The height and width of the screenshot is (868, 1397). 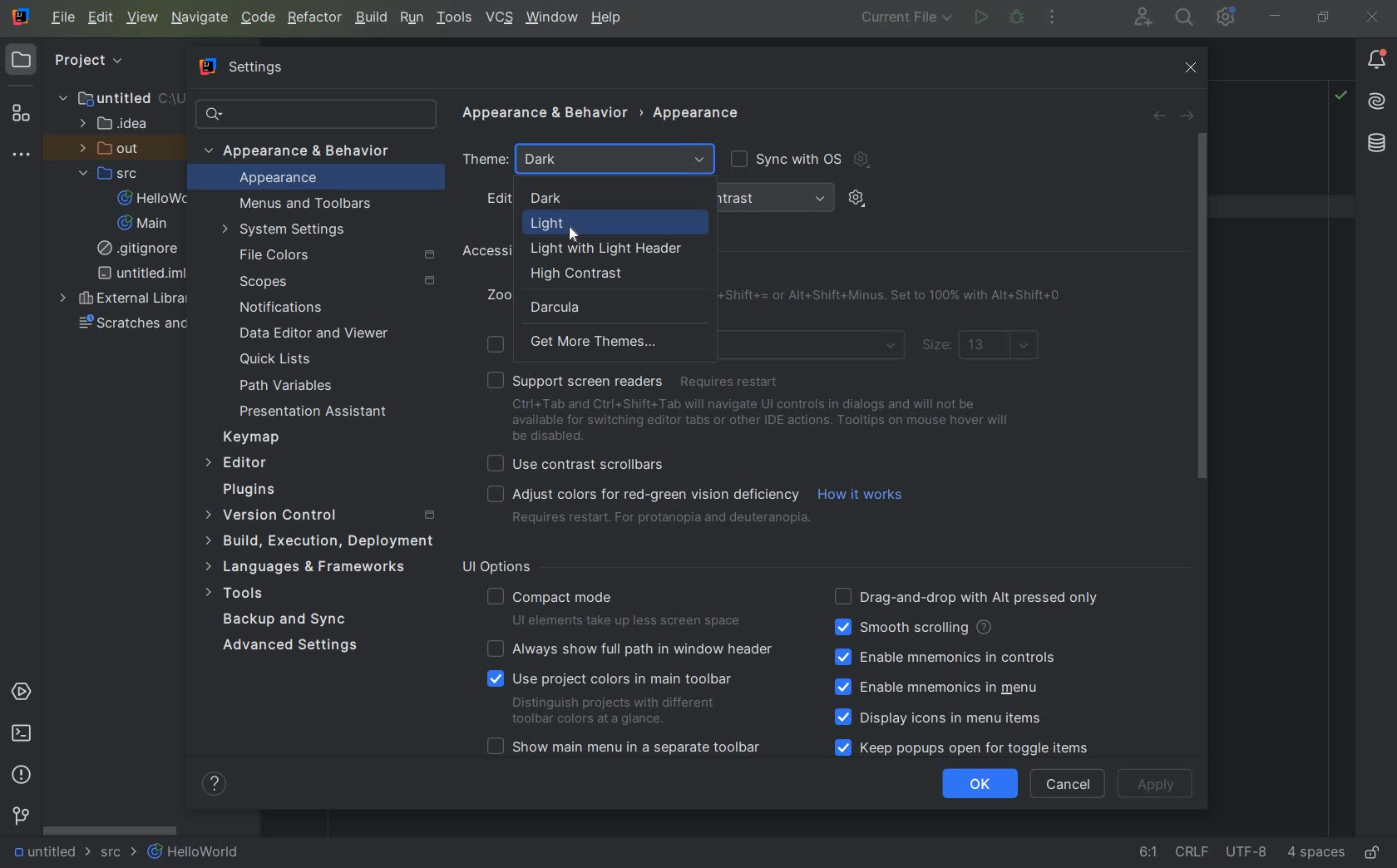 What do you see at coordinates (22, 62) in the screenshot?
I see `PROJECT folder` at bounding box center [22, 62].